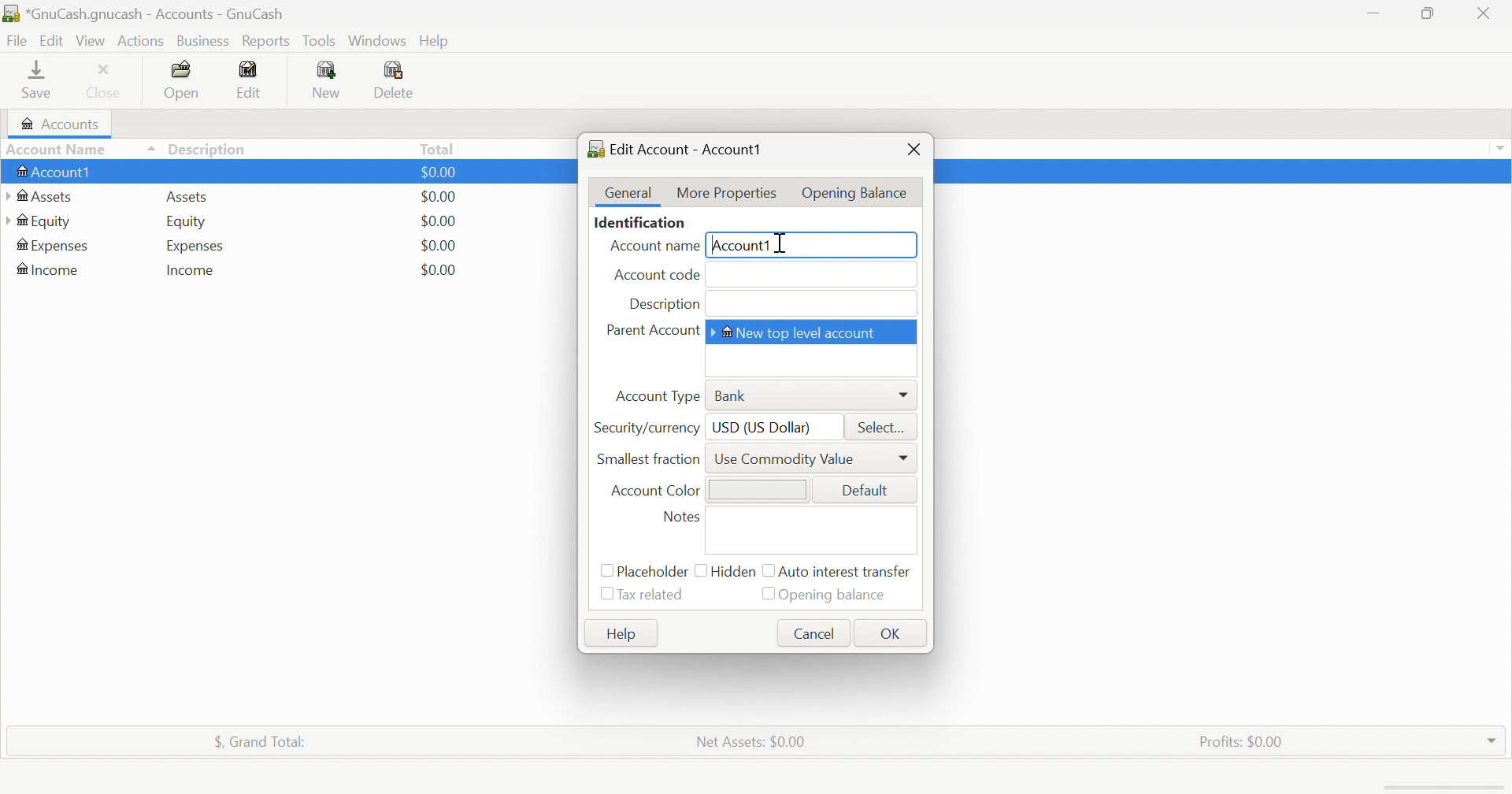  I want to click on View, so click(91, 41).